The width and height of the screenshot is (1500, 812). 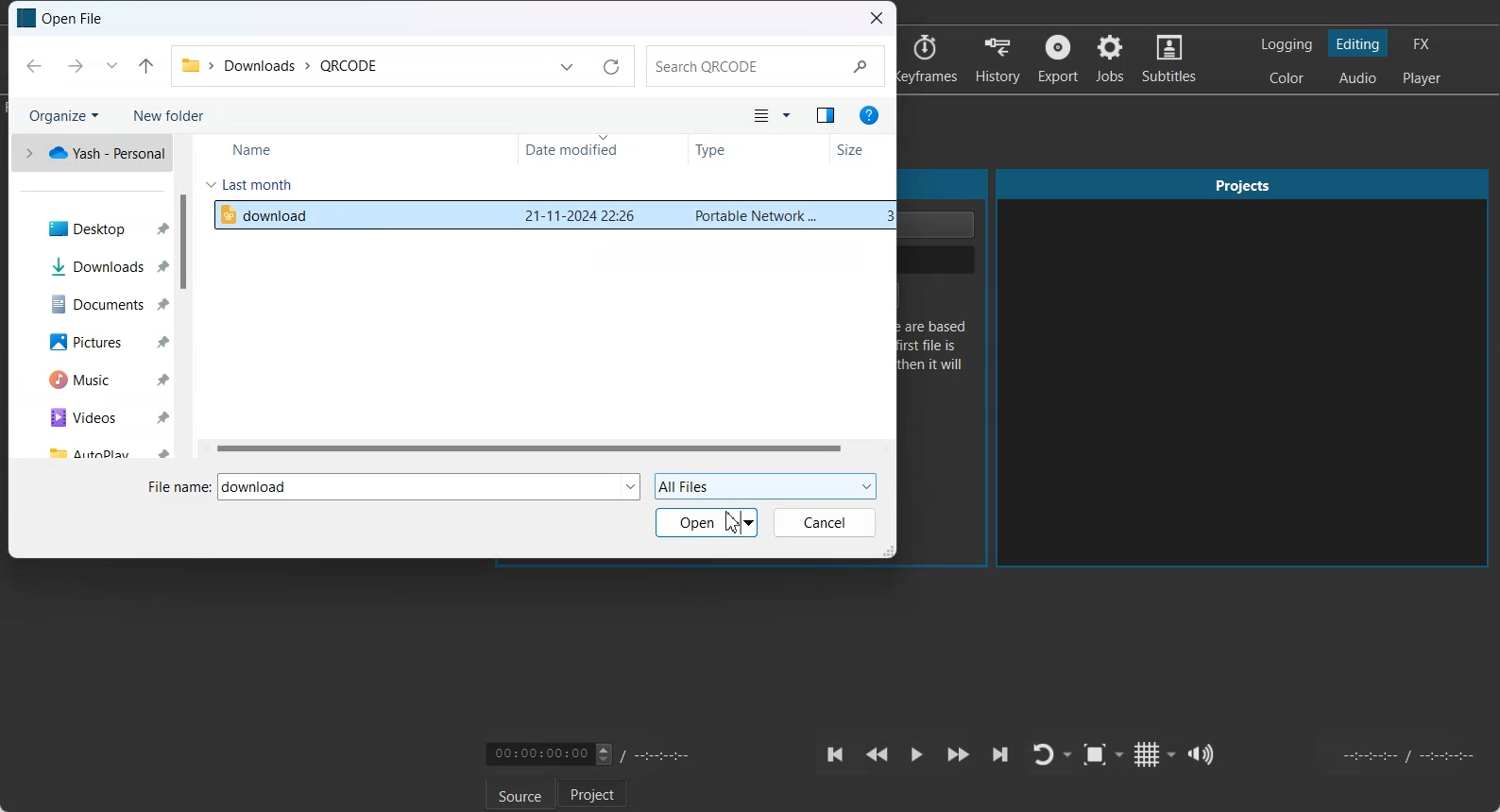 What do you see at coordinates (428, 486) in the screenshot?
I see `Text` at bounding box center [428, 486].